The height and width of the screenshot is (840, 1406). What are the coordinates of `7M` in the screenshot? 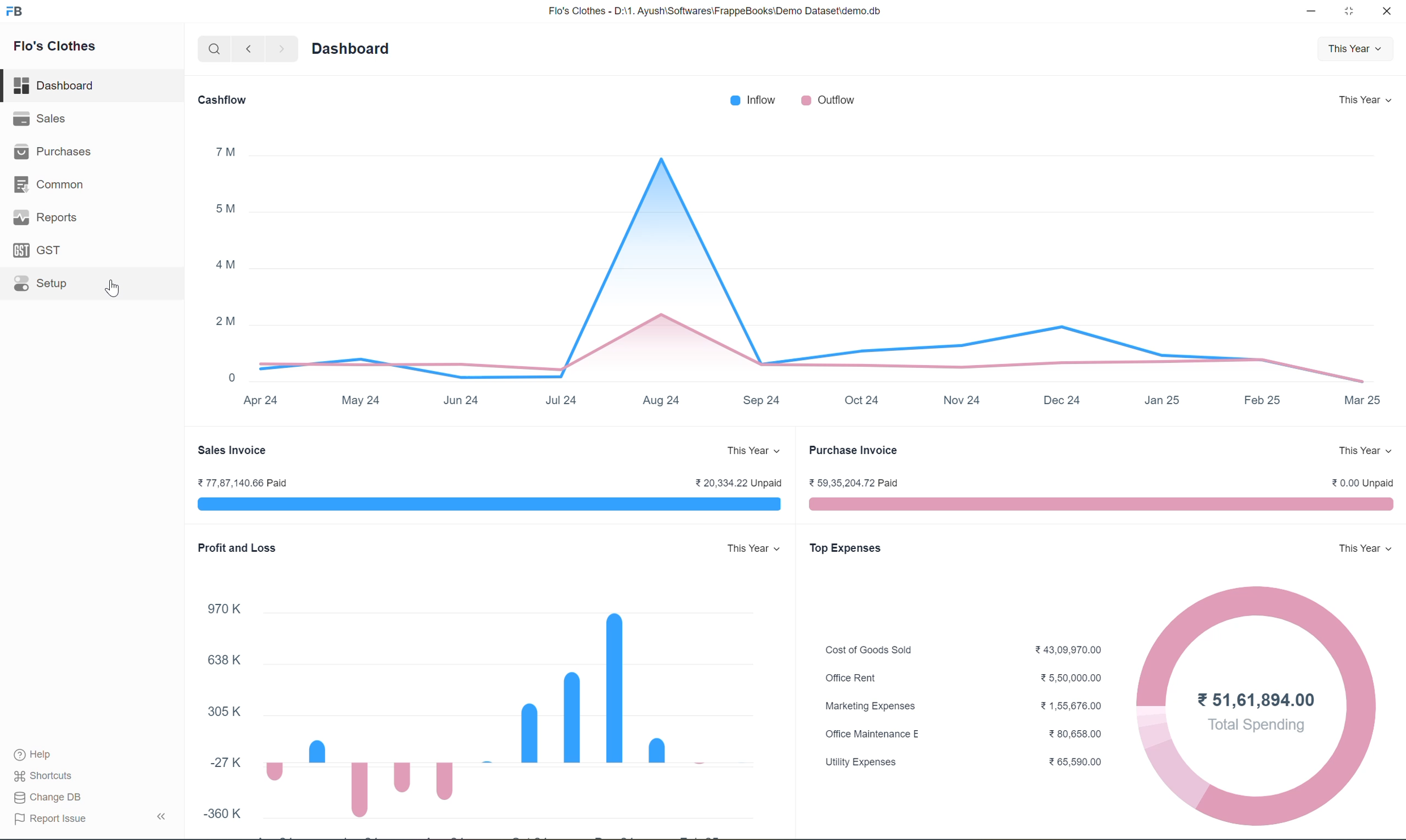 It's located at (228, 151).